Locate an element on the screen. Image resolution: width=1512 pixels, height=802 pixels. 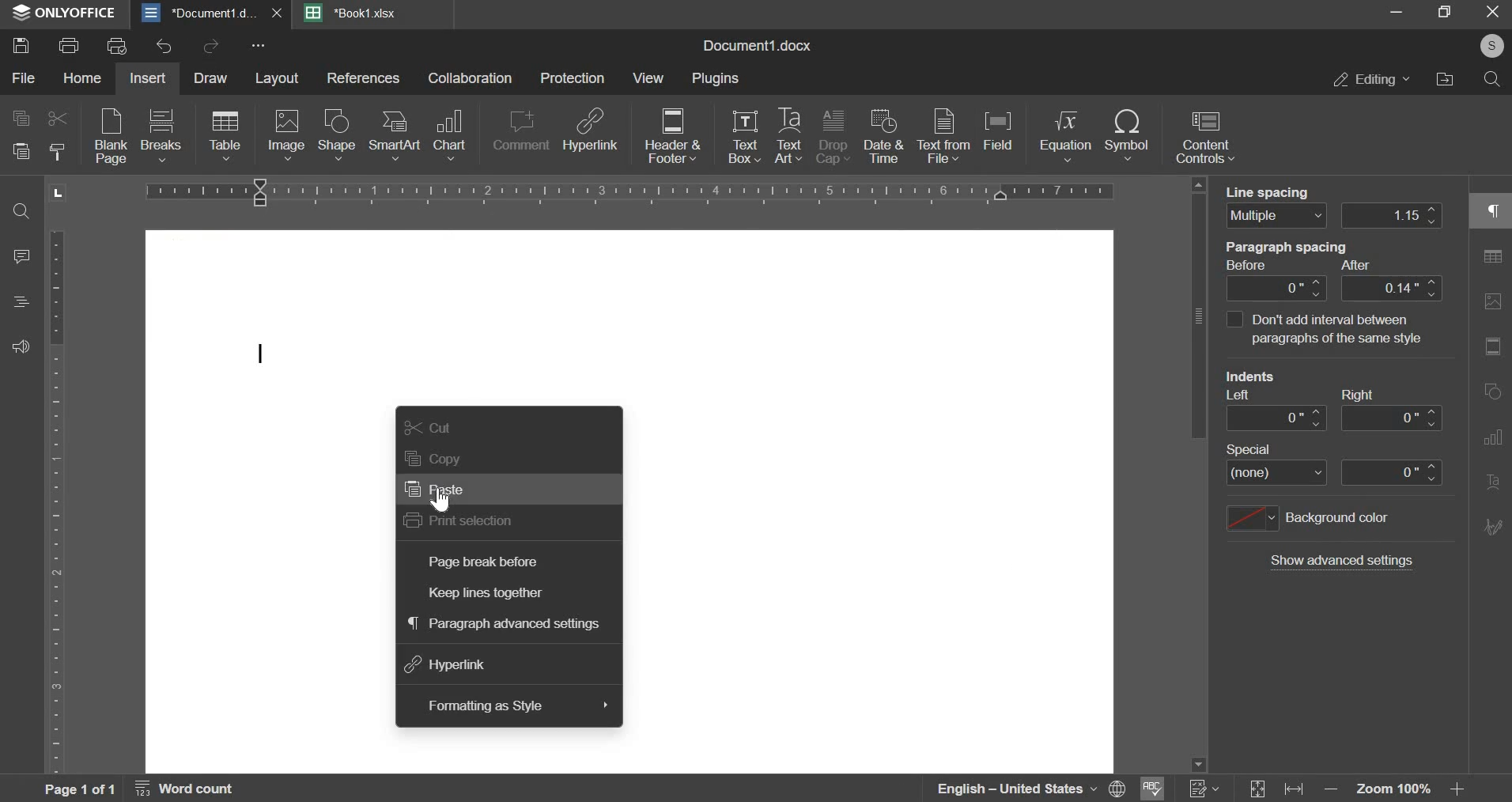
references is located at coordinates (364, 78).